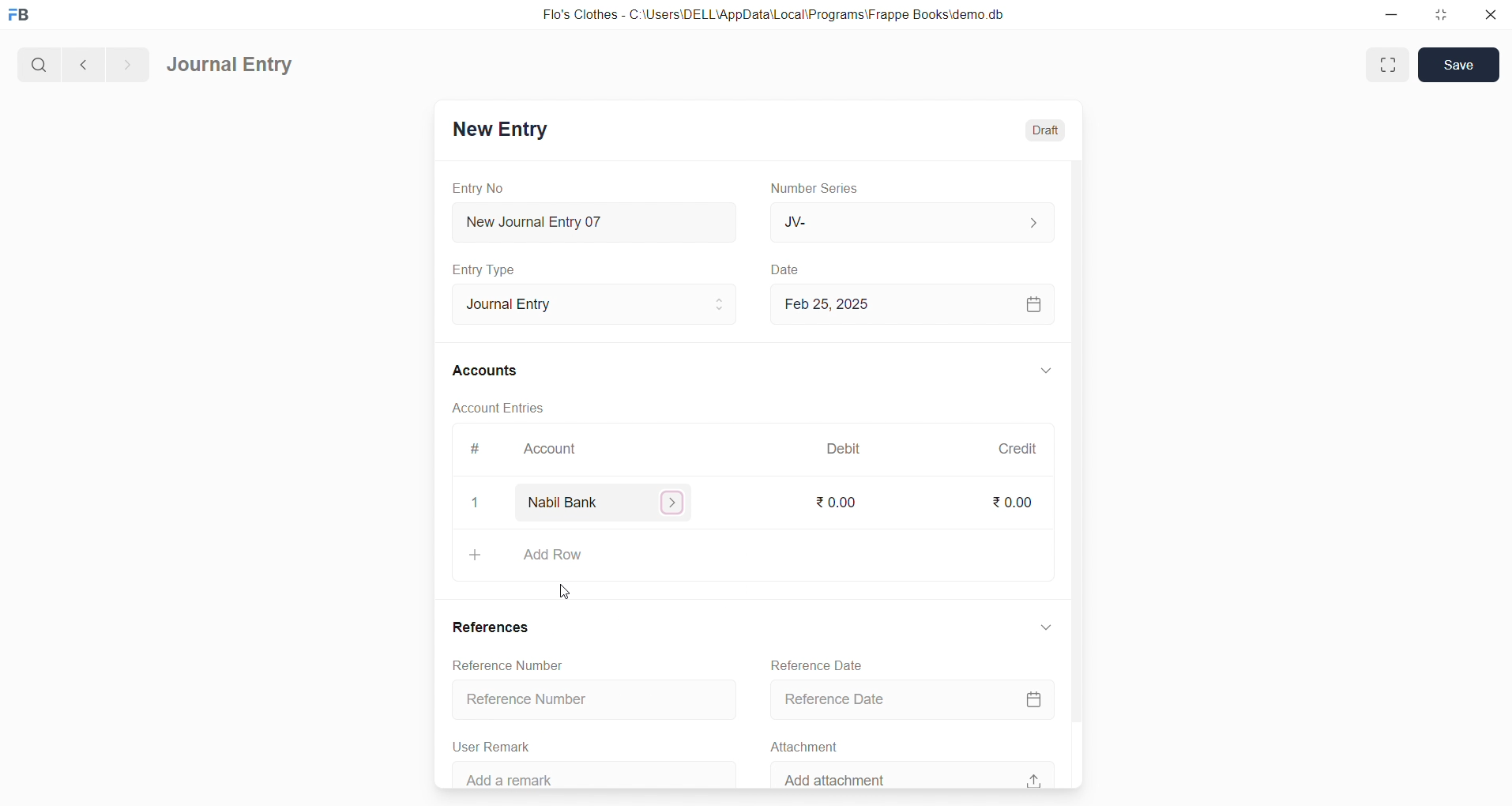 The image size is (1512, 806). What do you see at coordinates (1017, 448) in the screenshot?
I see `Credit` at bounding box center [1017, 448].